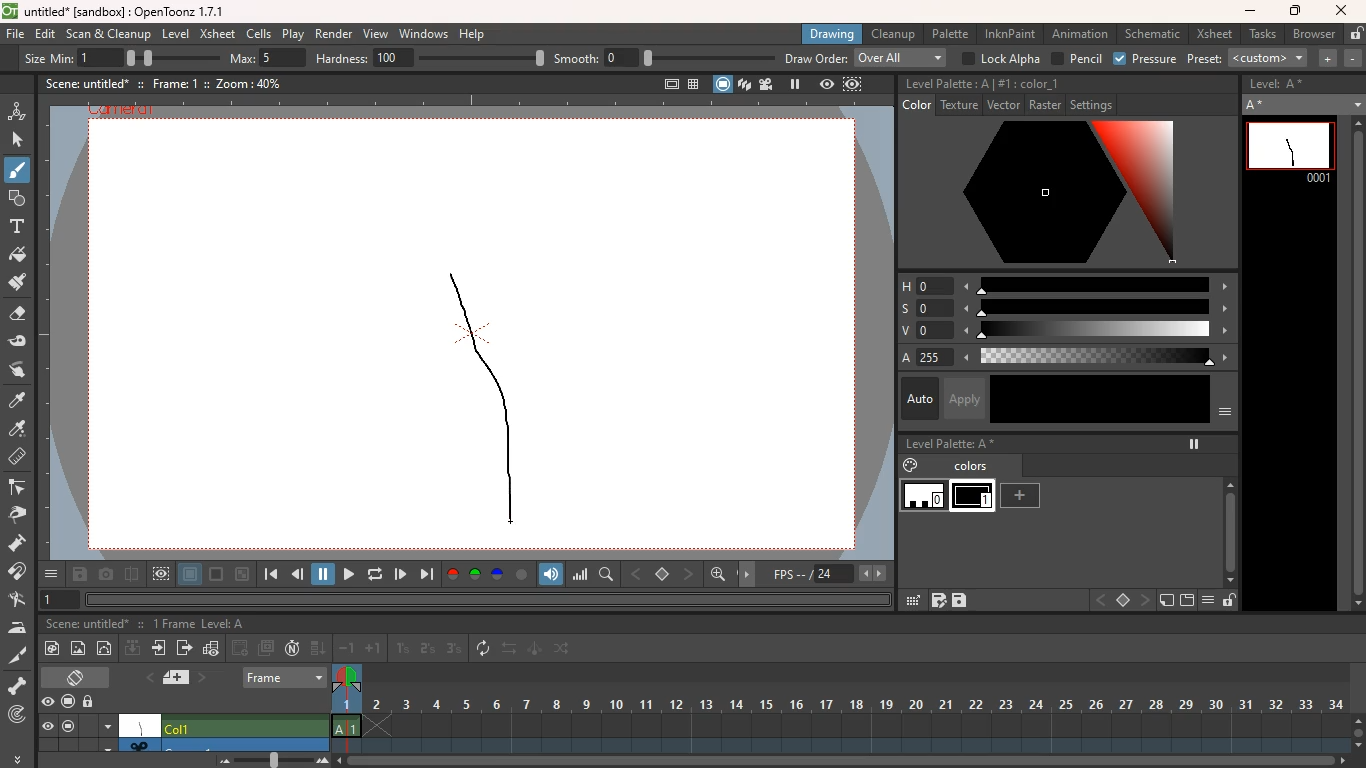 The width and height of the screenshot is (1366, 768). I want to click on move, so click(160, 650).